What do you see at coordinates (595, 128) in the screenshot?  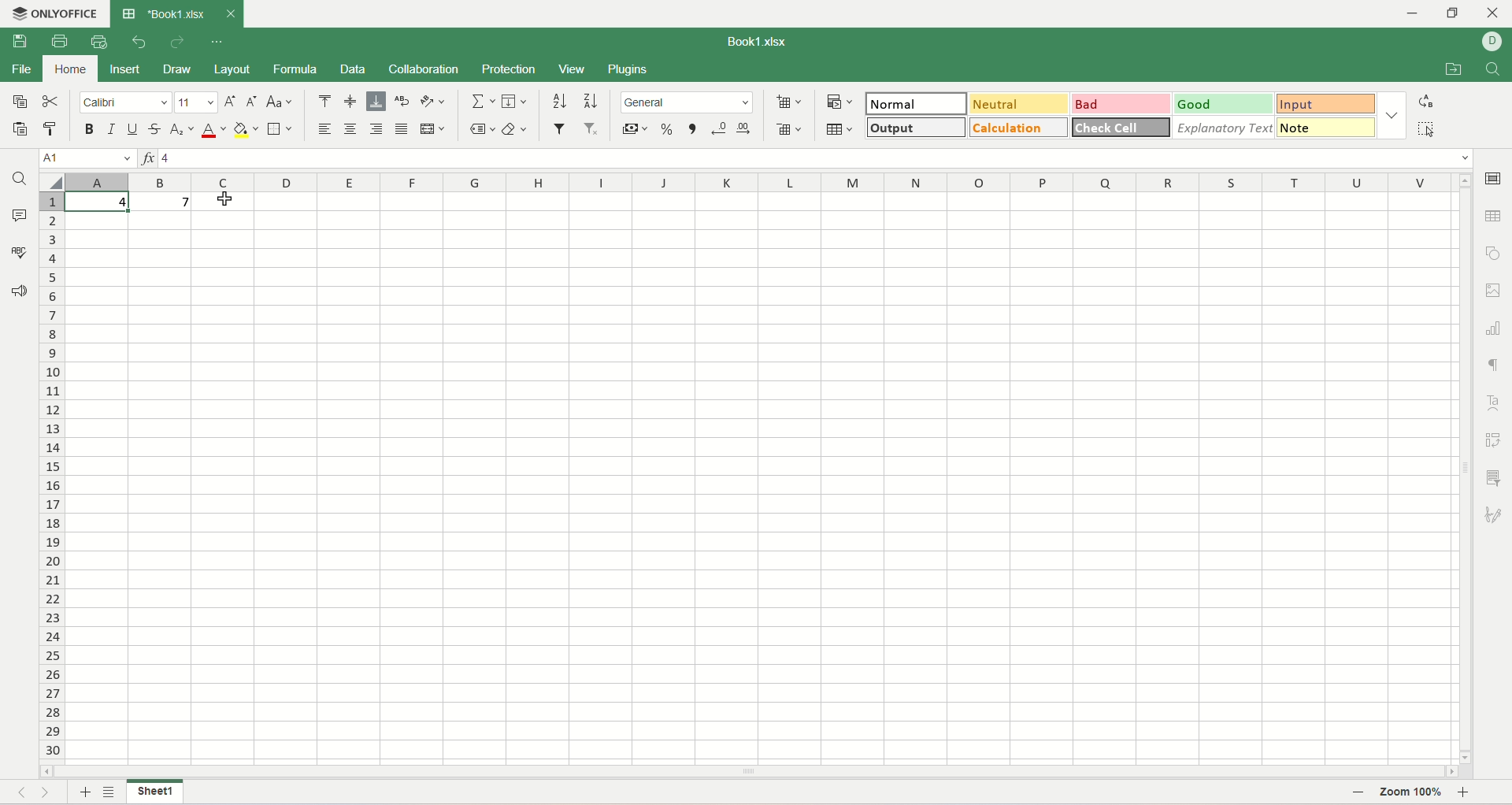 I see `remove filter` at bounding box center [595, 128].